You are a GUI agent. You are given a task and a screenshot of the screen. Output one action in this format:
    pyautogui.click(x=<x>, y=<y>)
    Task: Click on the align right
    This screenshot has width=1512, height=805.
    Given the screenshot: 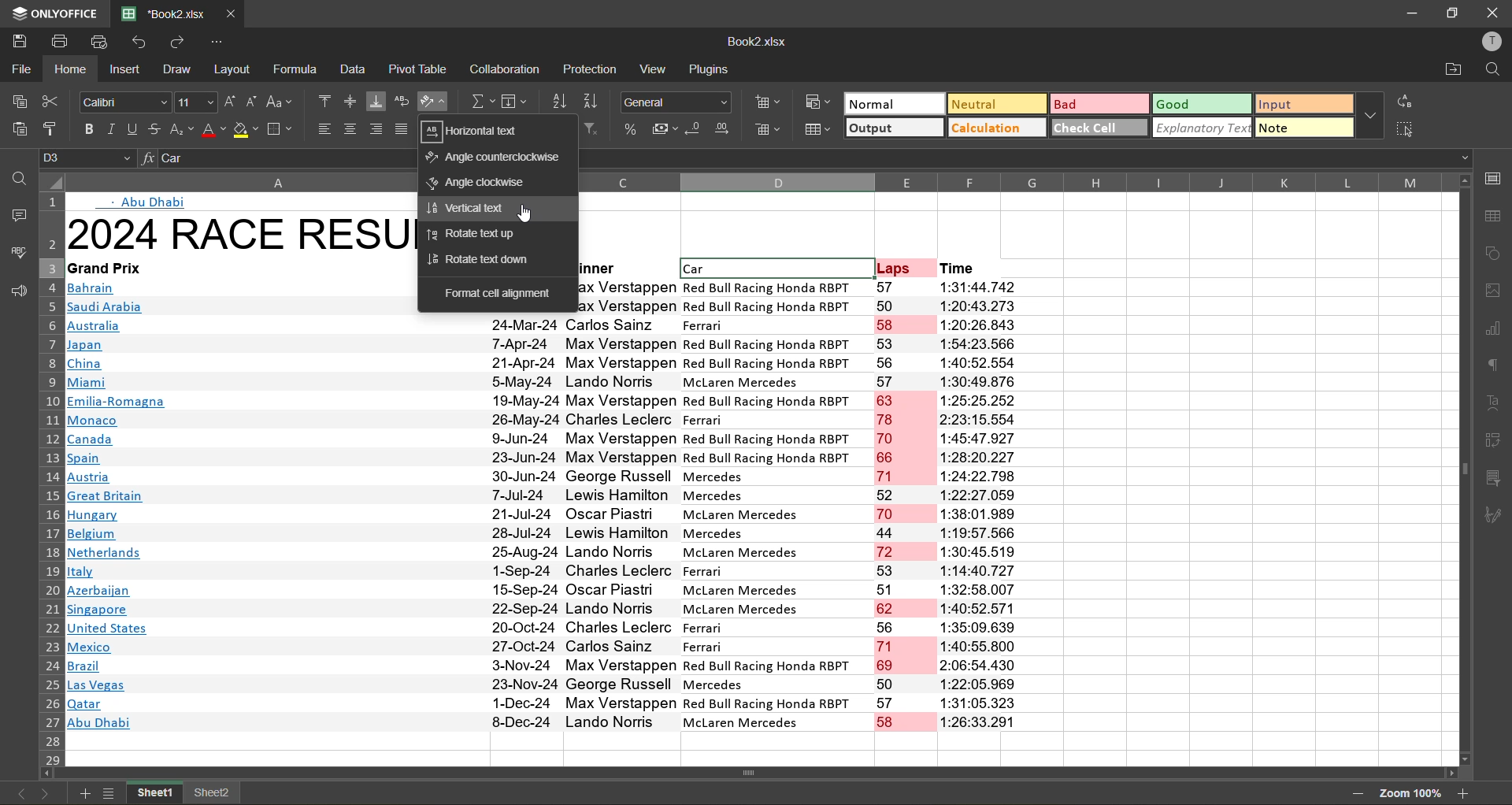 What is the action you would take?
    pyautogui.click(x=377, y=129)
    